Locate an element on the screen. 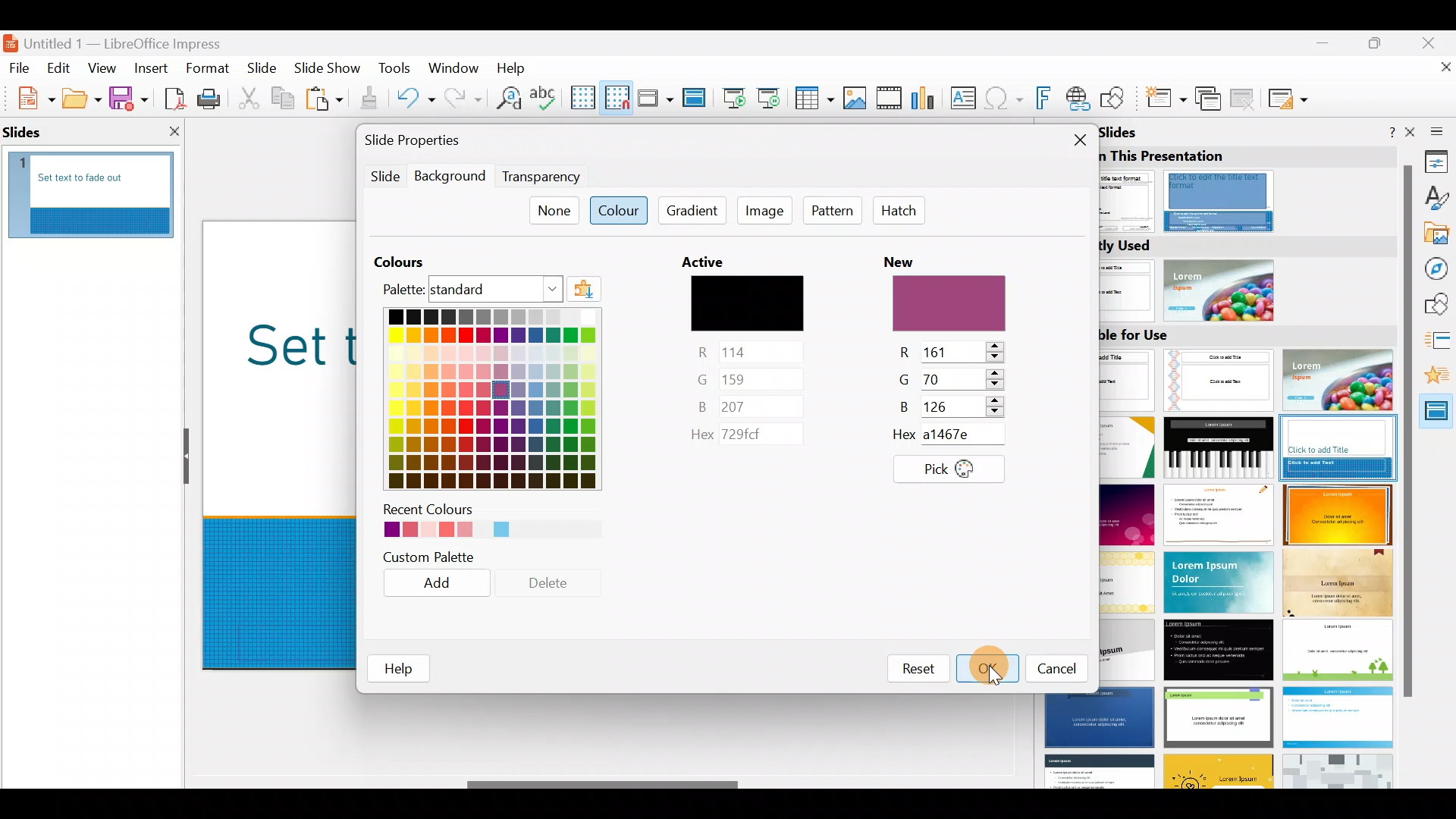 This screenshot has height=819, width=1456. new is located at coordinates (908, 258).